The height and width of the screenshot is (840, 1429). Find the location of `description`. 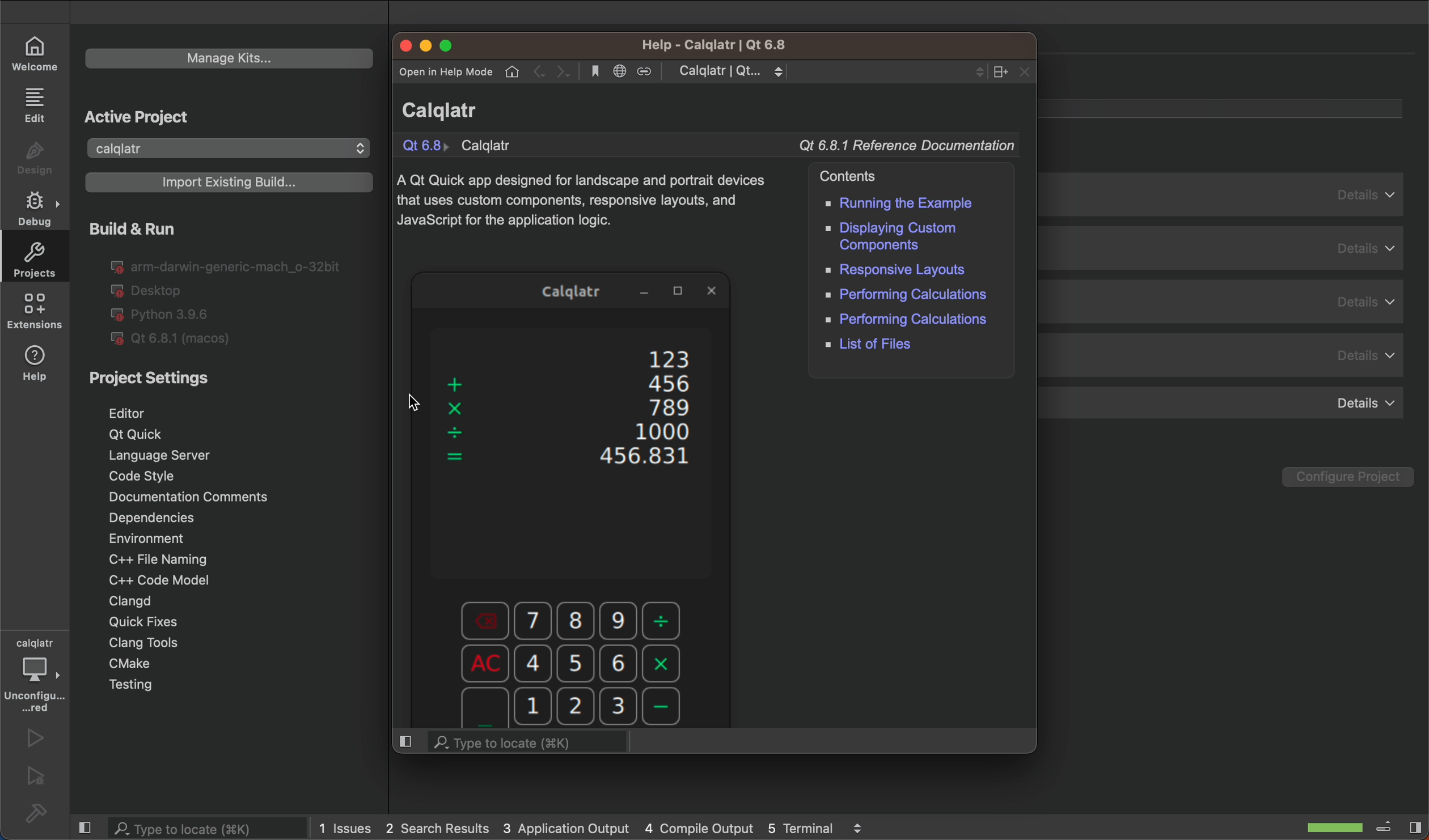

description is located at coordinates (587, 202).